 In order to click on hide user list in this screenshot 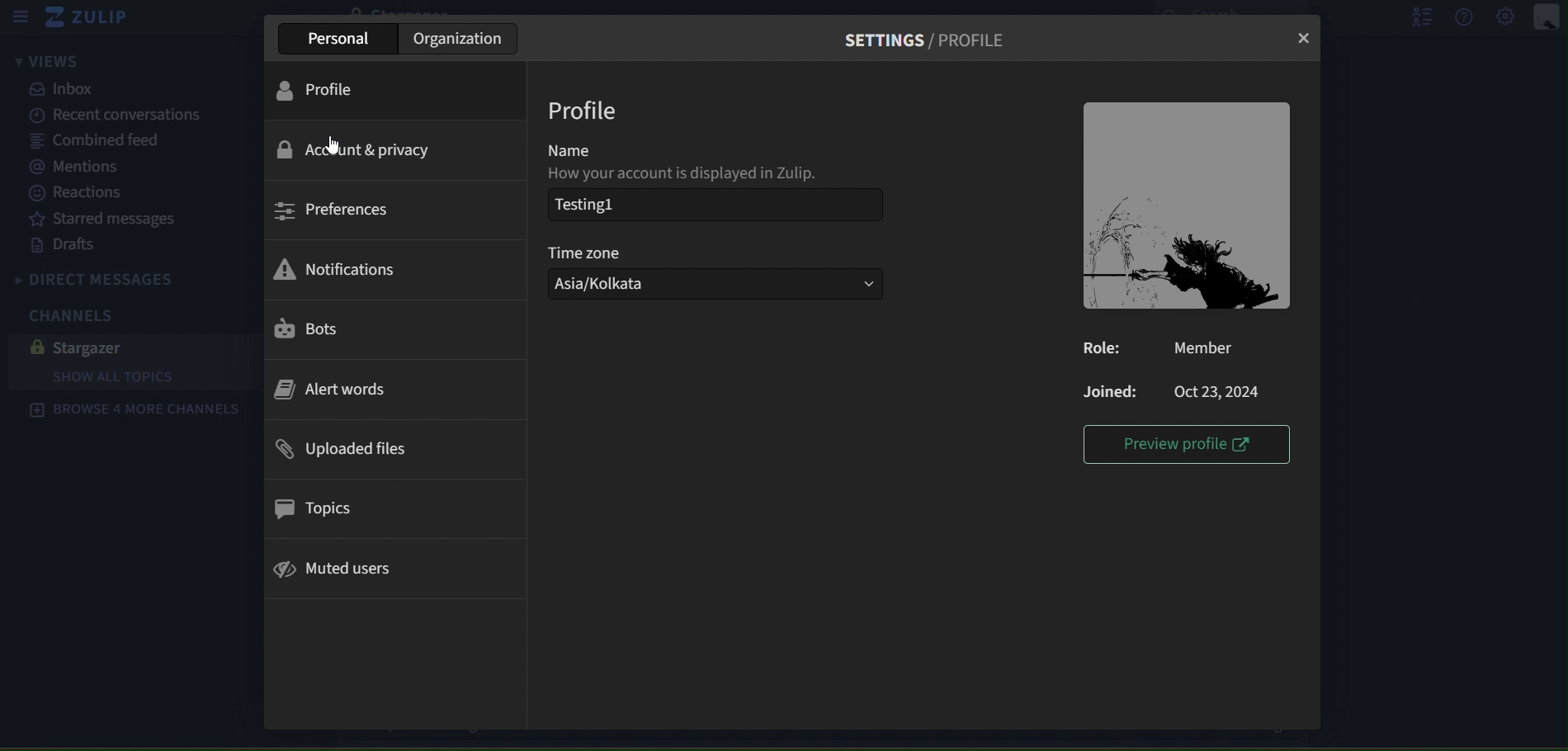, I will do `click(1415, 17)`.